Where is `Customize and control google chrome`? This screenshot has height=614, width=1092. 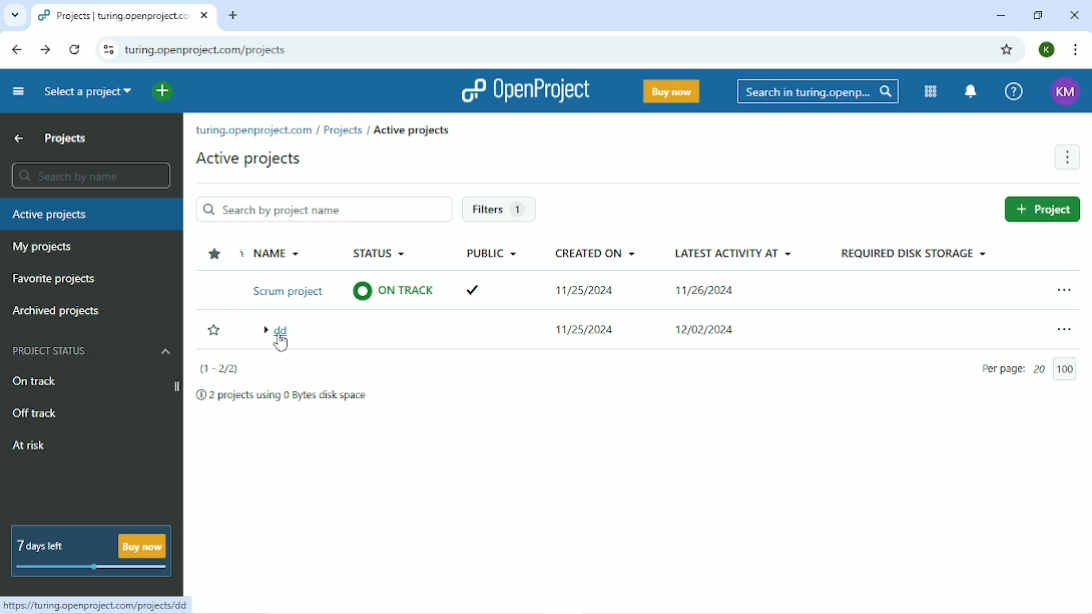
Customize and control google chrome is located at coordinates (1074, 49).